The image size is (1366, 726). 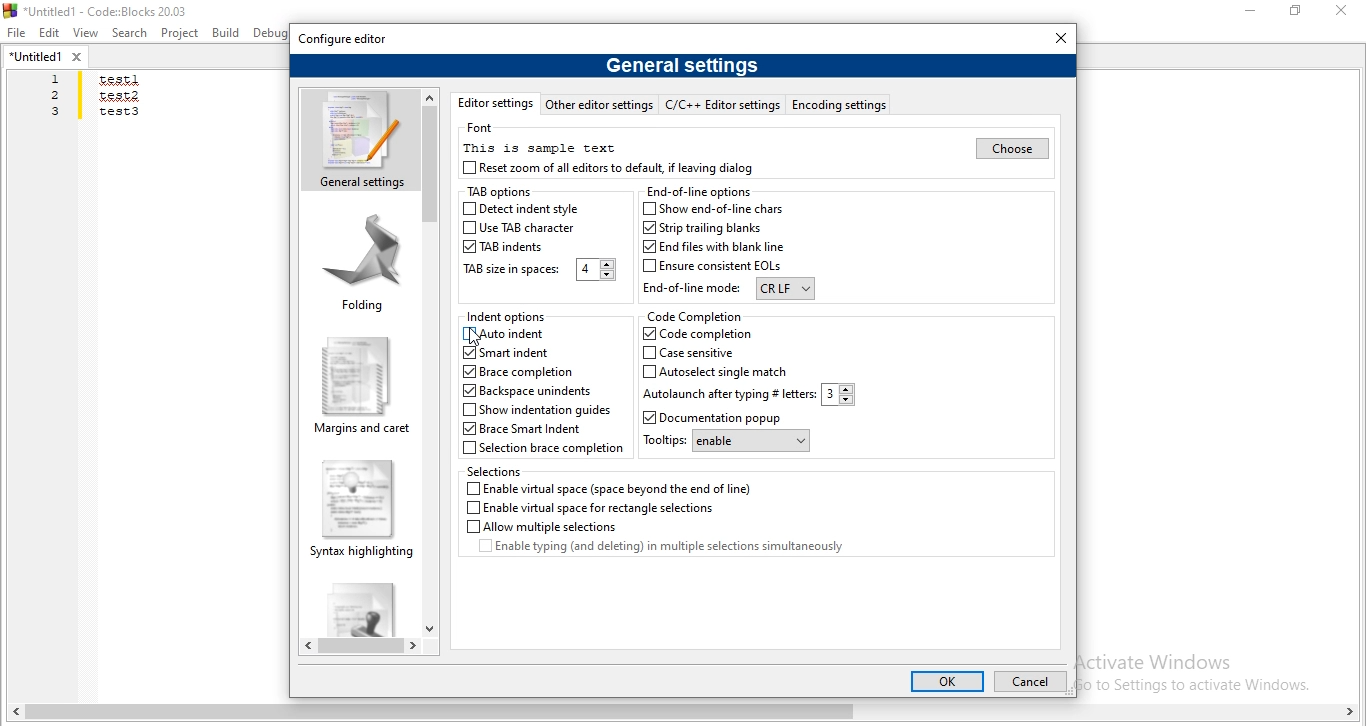 What do you see at coordinates (506, 247) in the screenshot?
I see `TAB indents` at bounding box center [506, 247].